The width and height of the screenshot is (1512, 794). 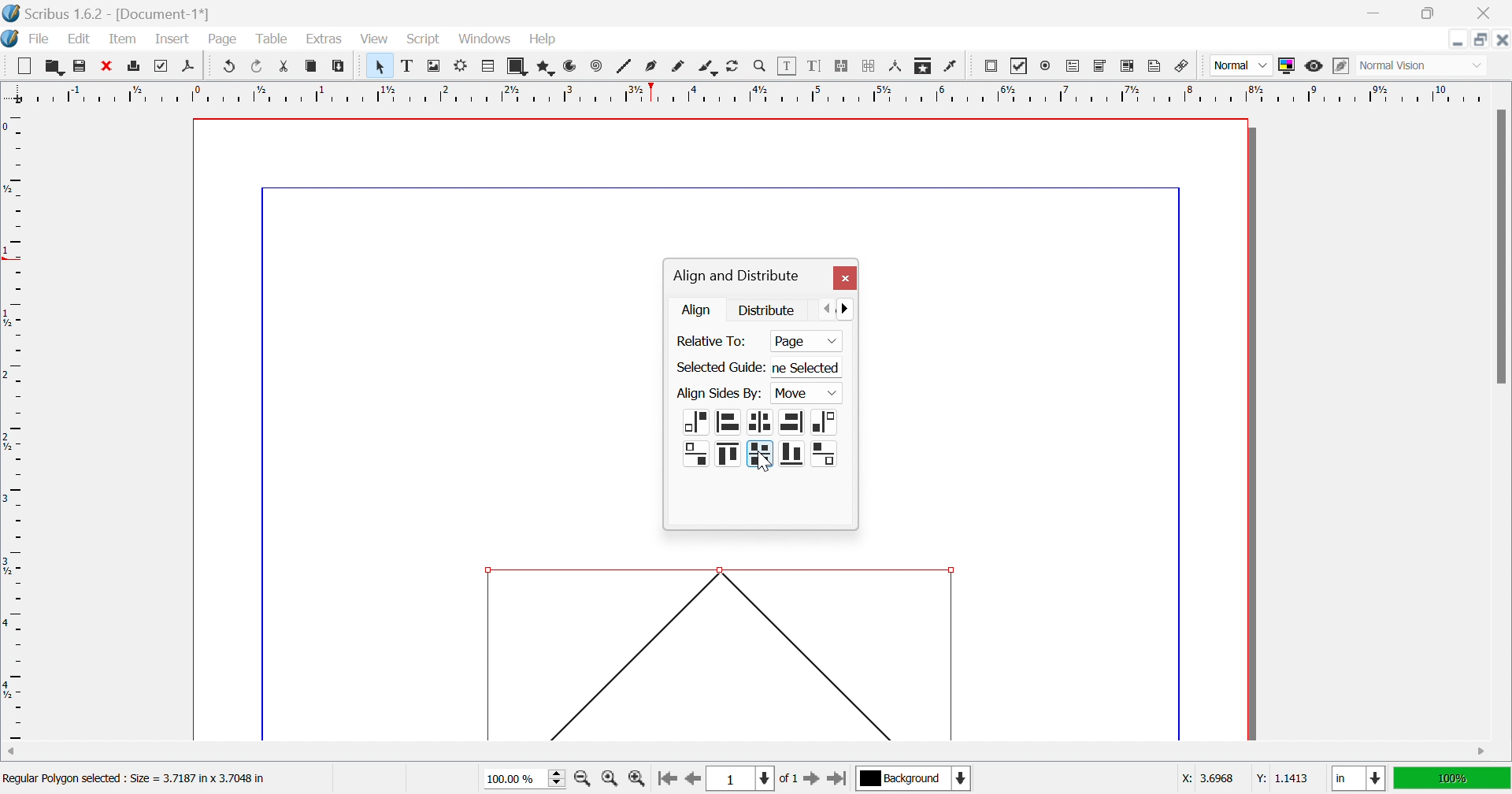 I want to click on Close, so click(x=844, y=279).